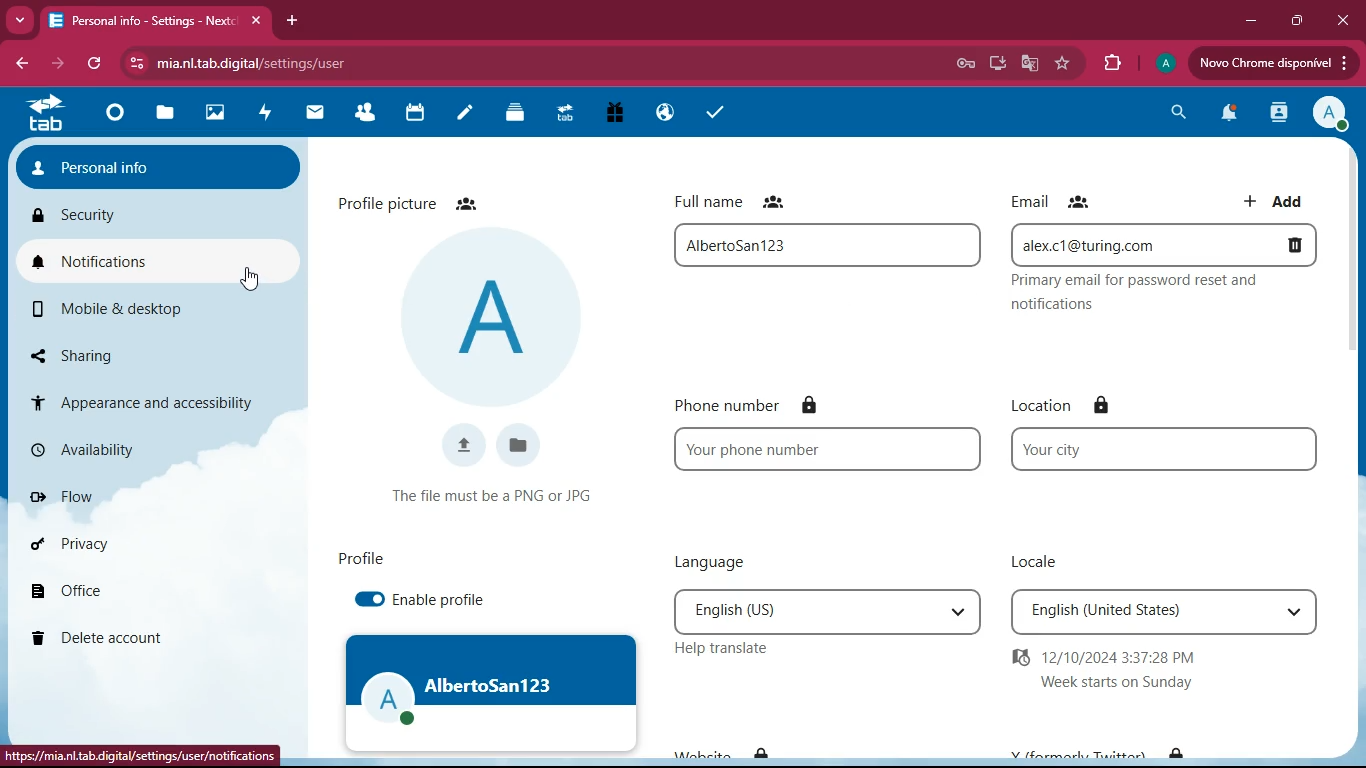  What do you see at coordinates (1071, 399) in the screenshot?
I see `location` at bounding box center [1071, 399].